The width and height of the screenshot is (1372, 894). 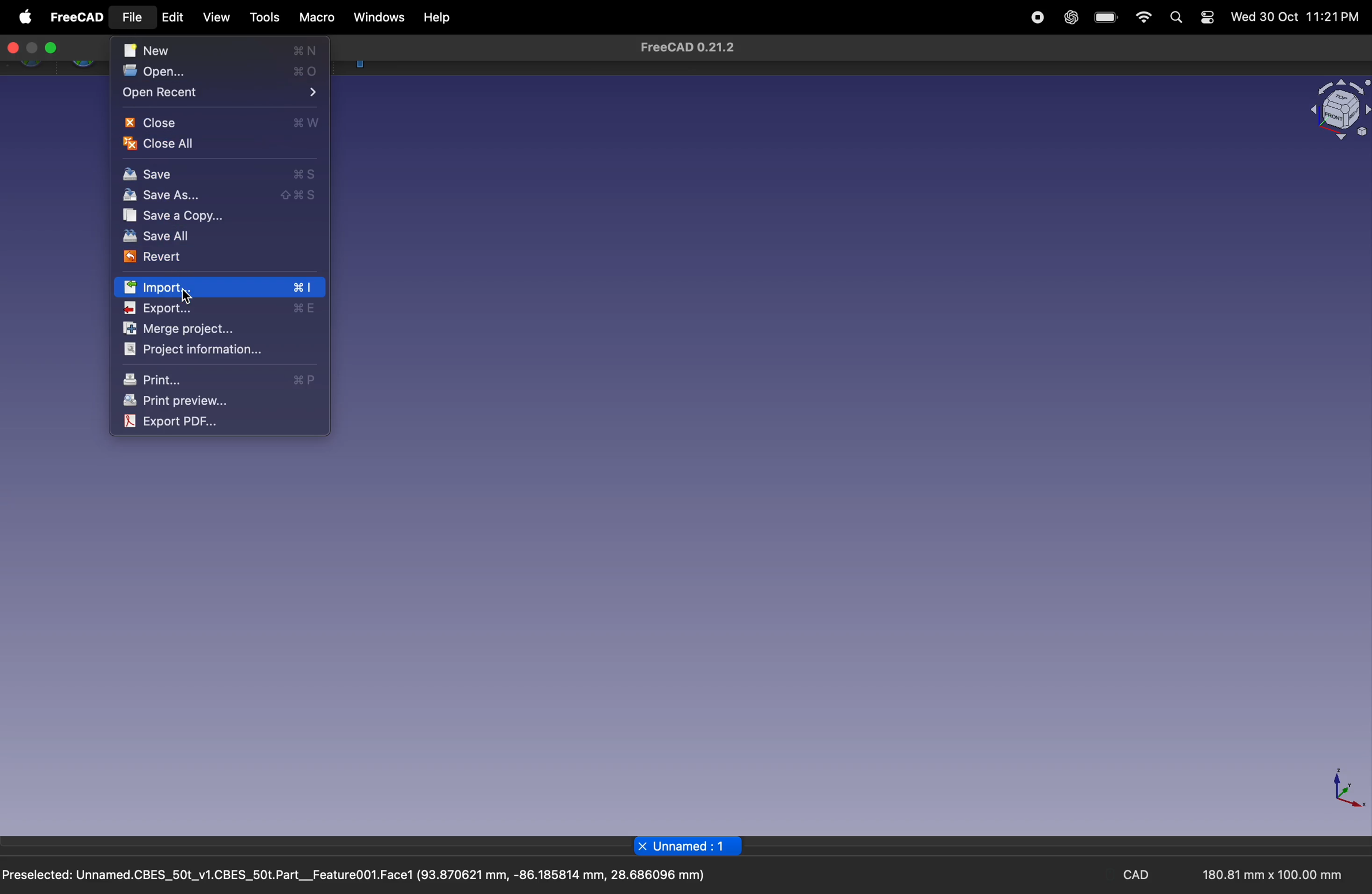 What do you see at coordinates (1342, 790) in the screenshot?
I see `axis` at bounding box center [1342, 790].